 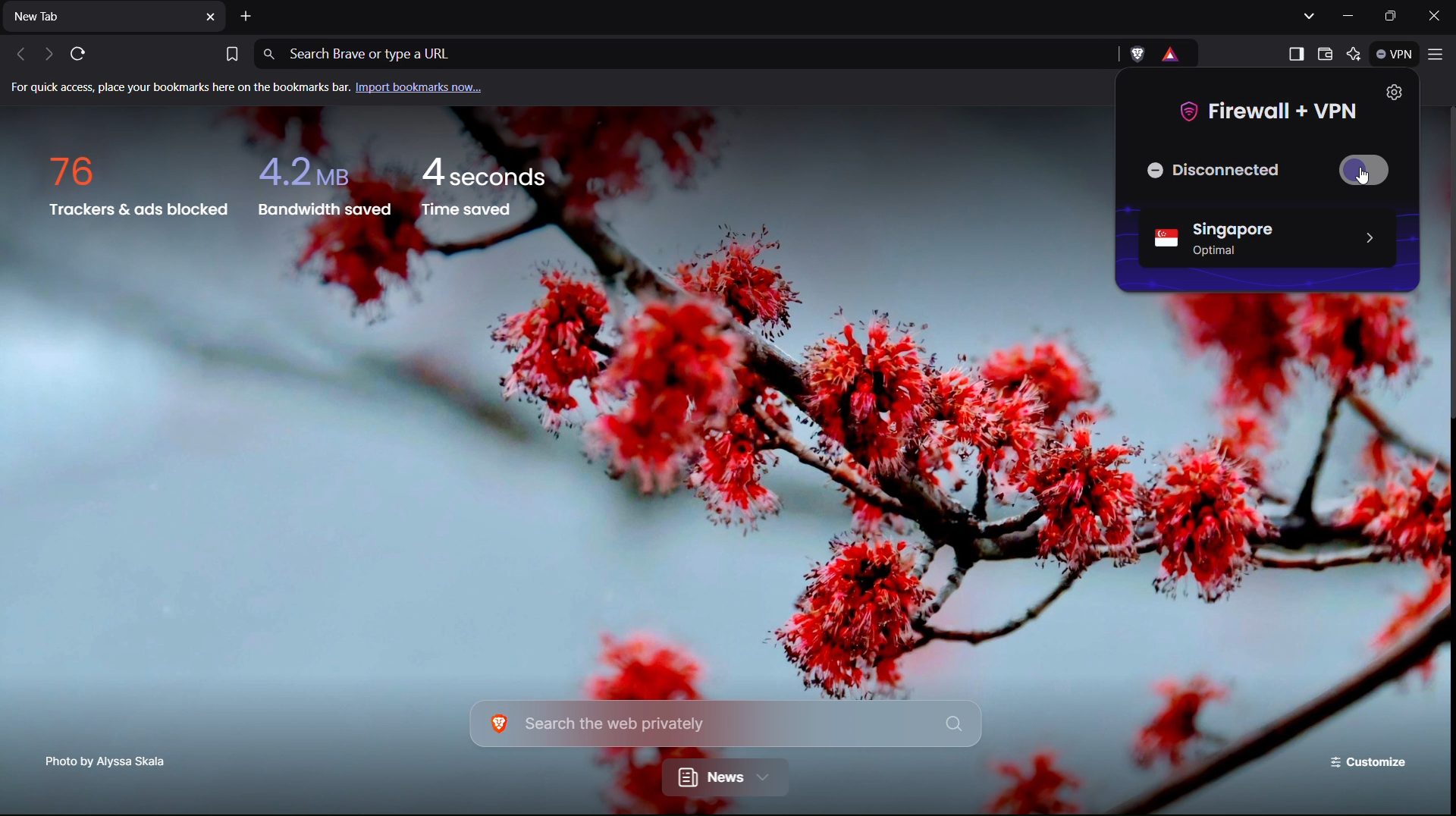 I want to click on Maximize, so click(x=1396, y=17).